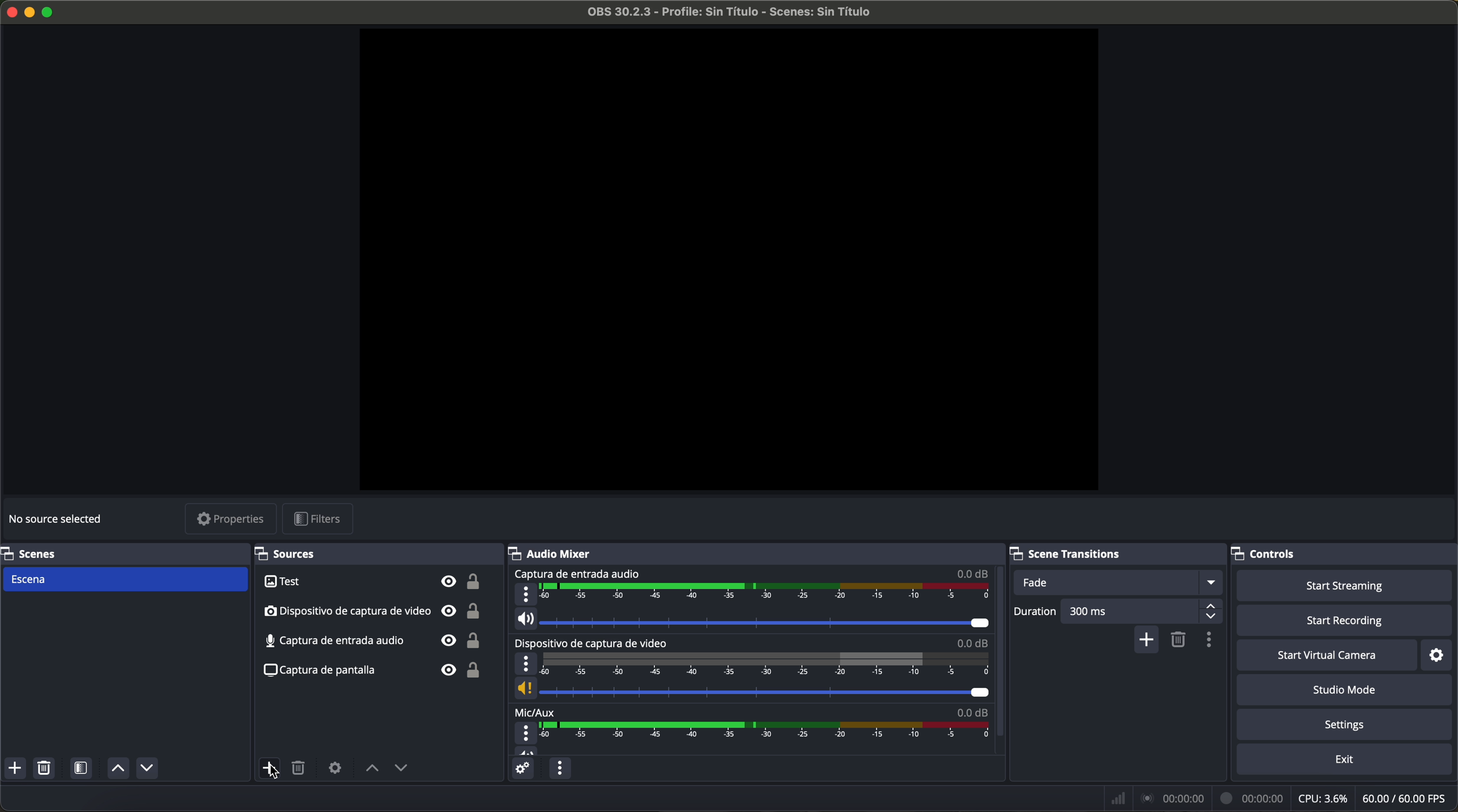  What do you see at coordinates (40, 554) in the screenshot?
I see `scenes` at bounding box center [40, 554].